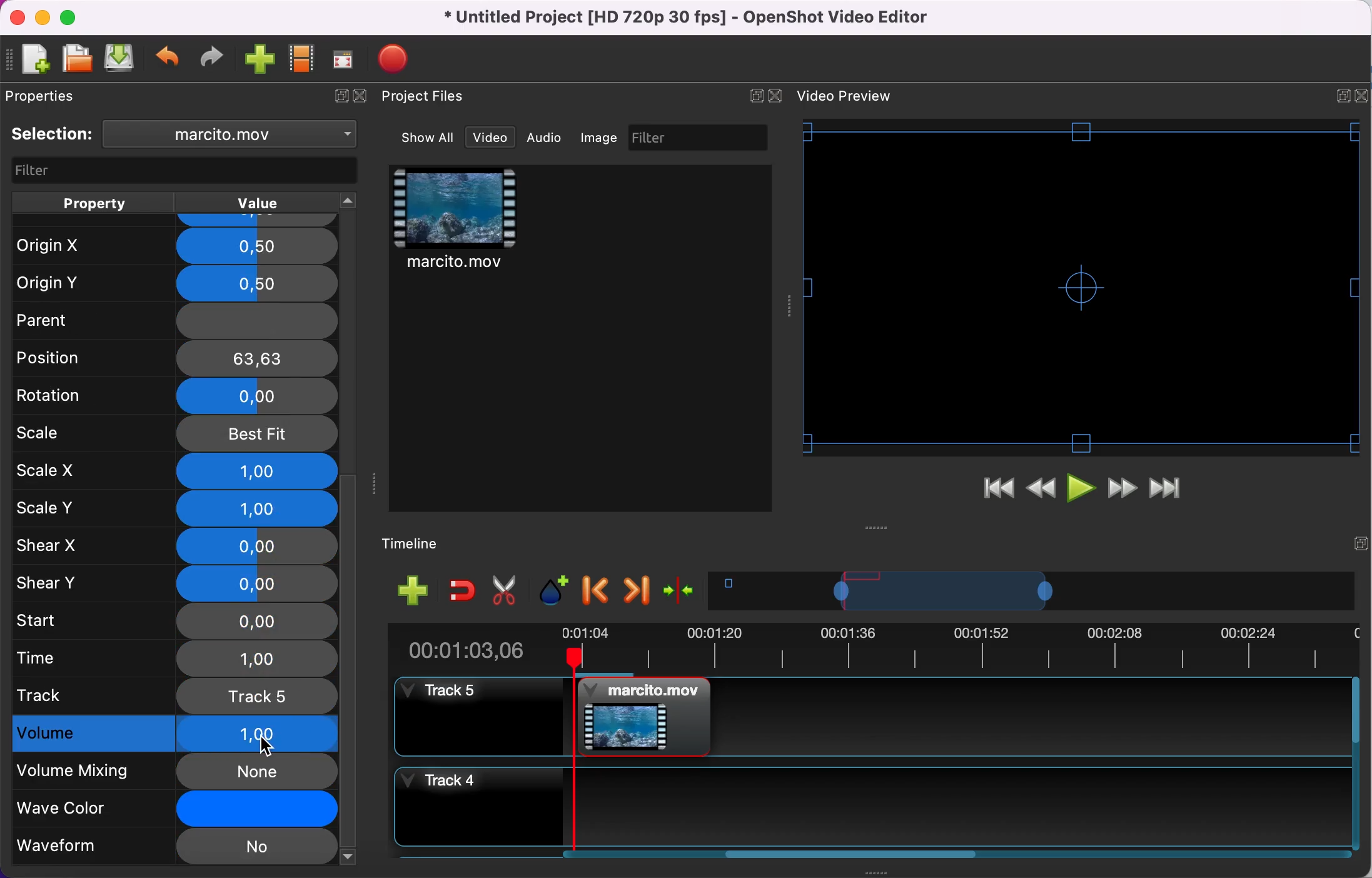 The image size is (1372, 878). Describe the element at coordinates (46, 96) in the screenshot. I see `properties` at that location.